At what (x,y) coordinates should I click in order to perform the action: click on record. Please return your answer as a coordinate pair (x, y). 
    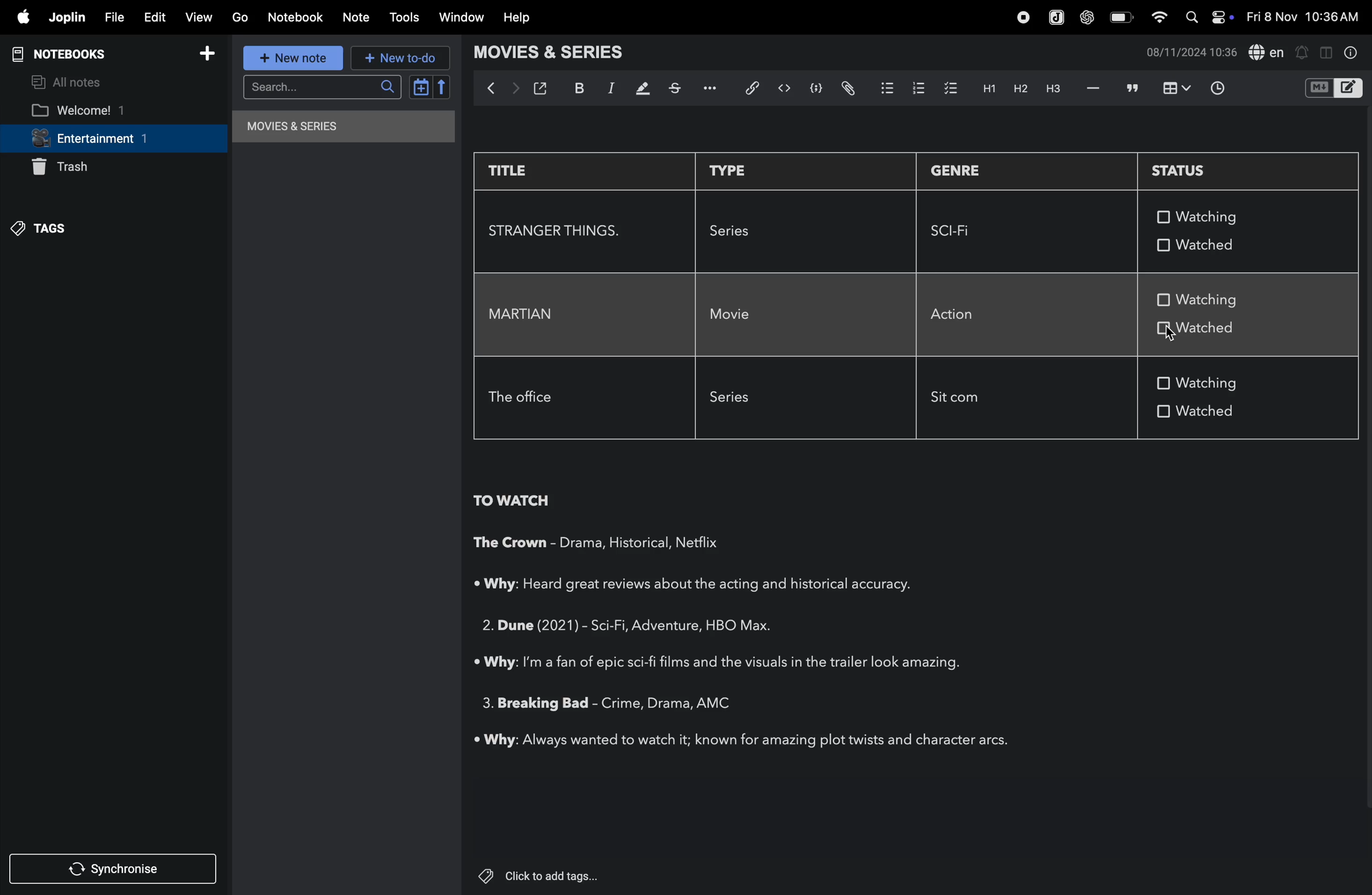
    Looking at the image, I should click on (1023, 18).